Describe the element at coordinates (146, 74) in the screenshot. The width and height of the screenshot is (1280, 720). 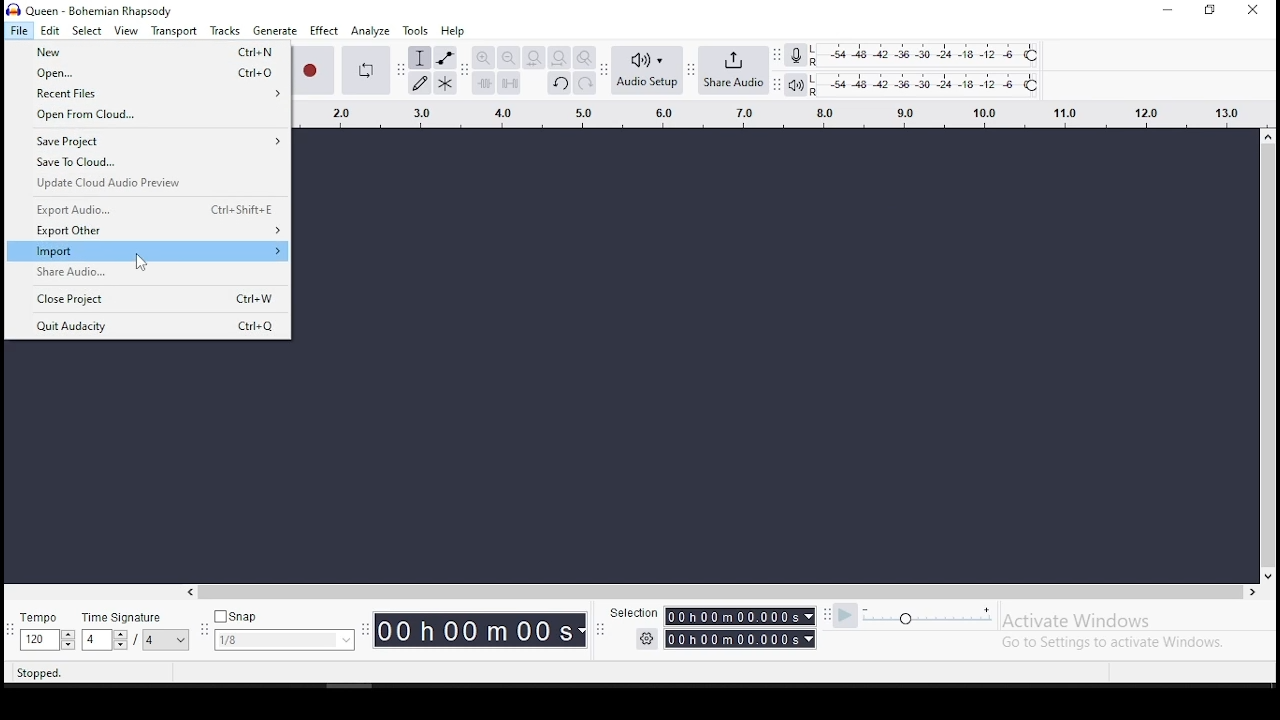
I see `Open` at that location.